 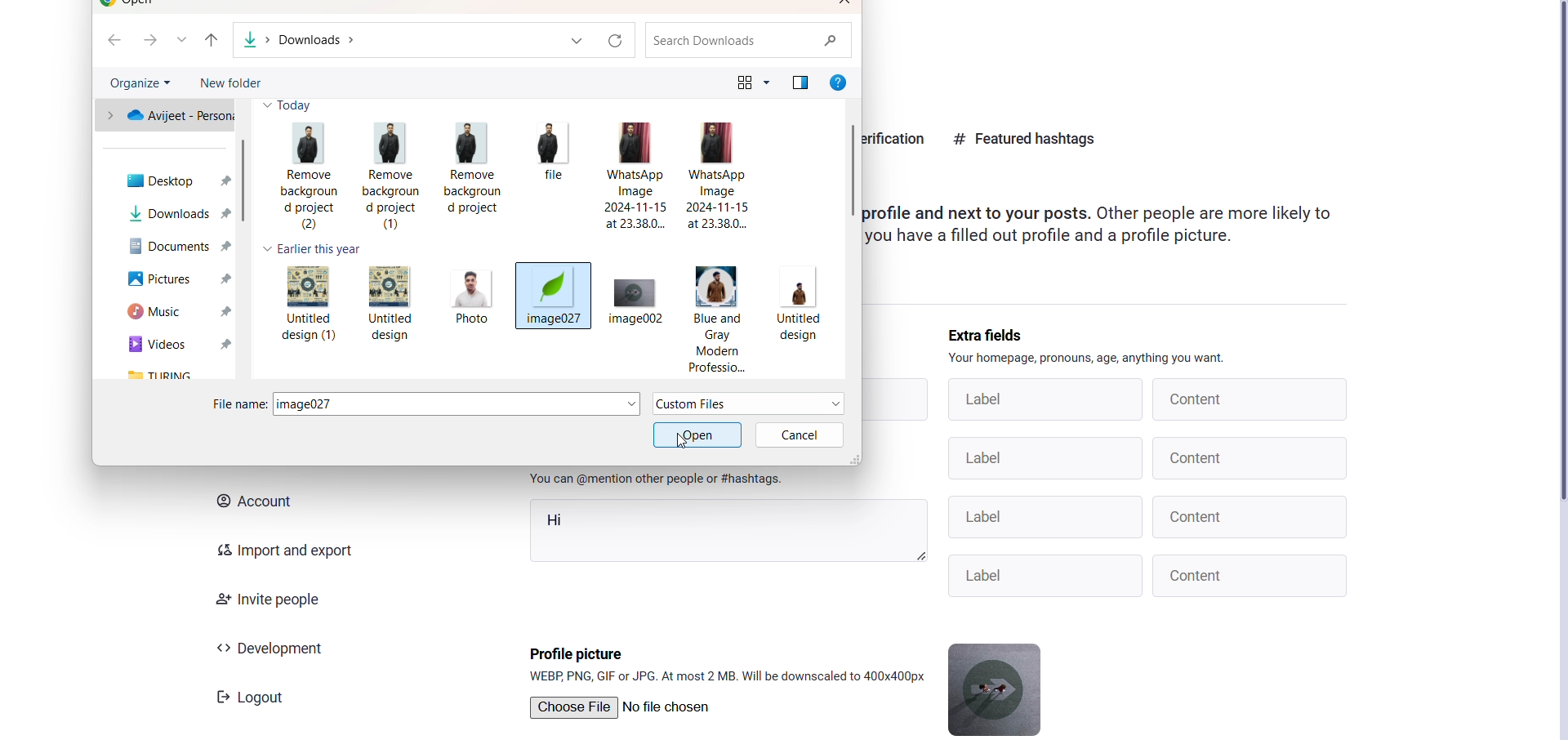 I want to click on cursor, so click(x=681, y=443).